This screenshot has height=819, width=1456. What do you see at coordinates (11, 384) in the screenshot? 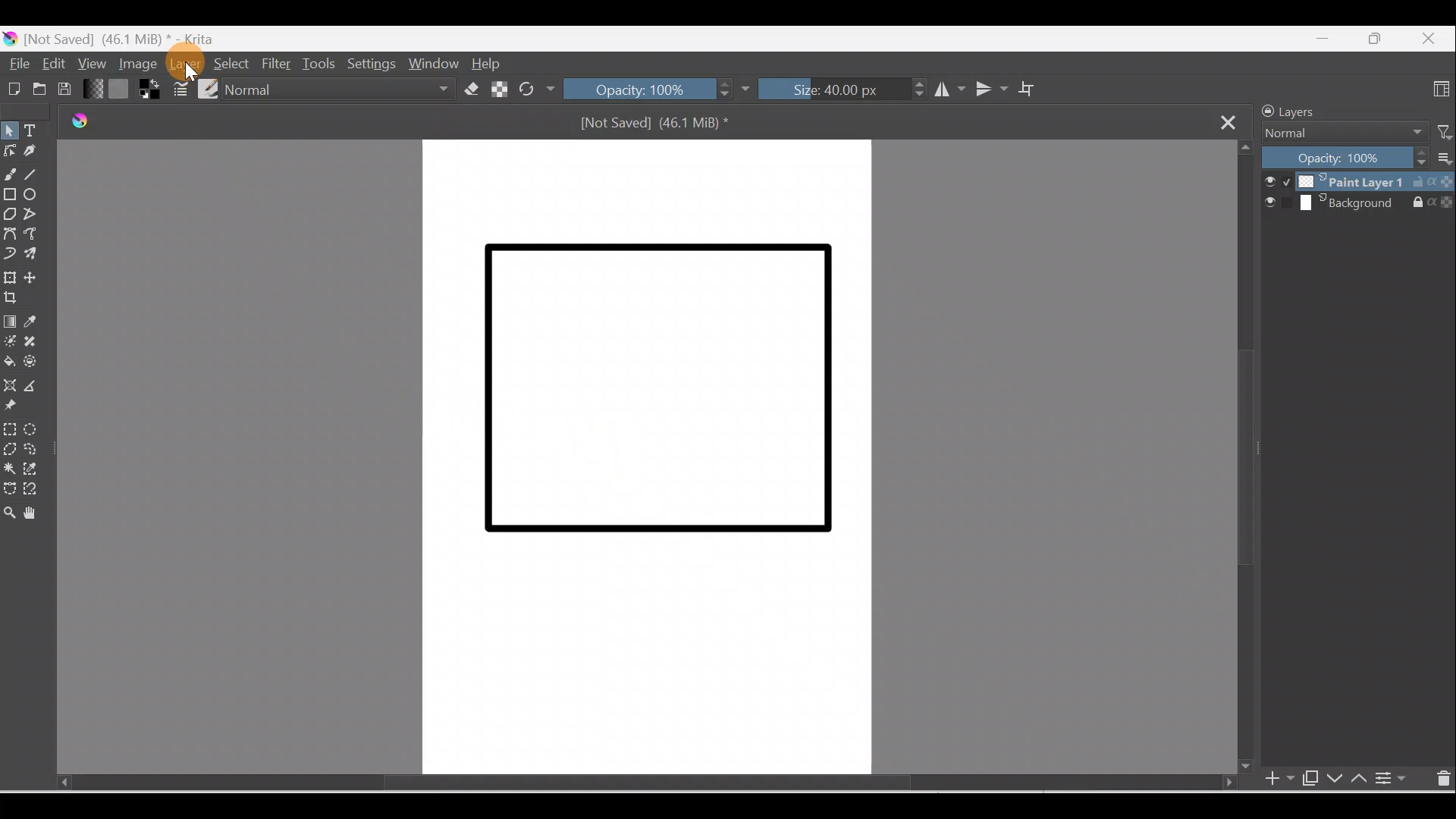
I see `Assistant tool` at bounding box center [11, 384].